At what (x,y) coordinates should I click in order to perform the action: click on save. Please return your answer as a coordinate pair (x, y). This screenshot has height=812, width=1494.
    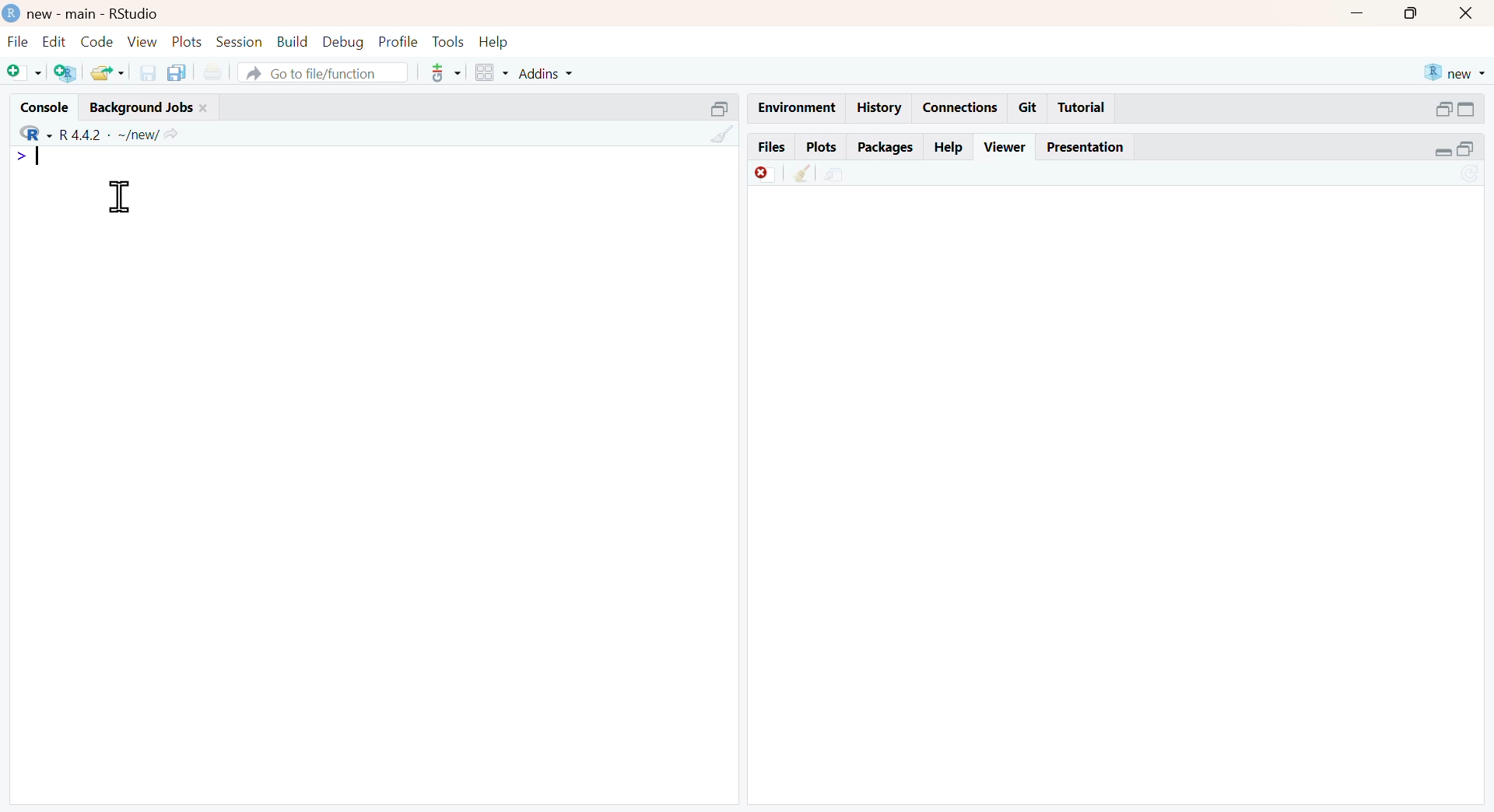
    Looking at the image, I should click on (149, 73).